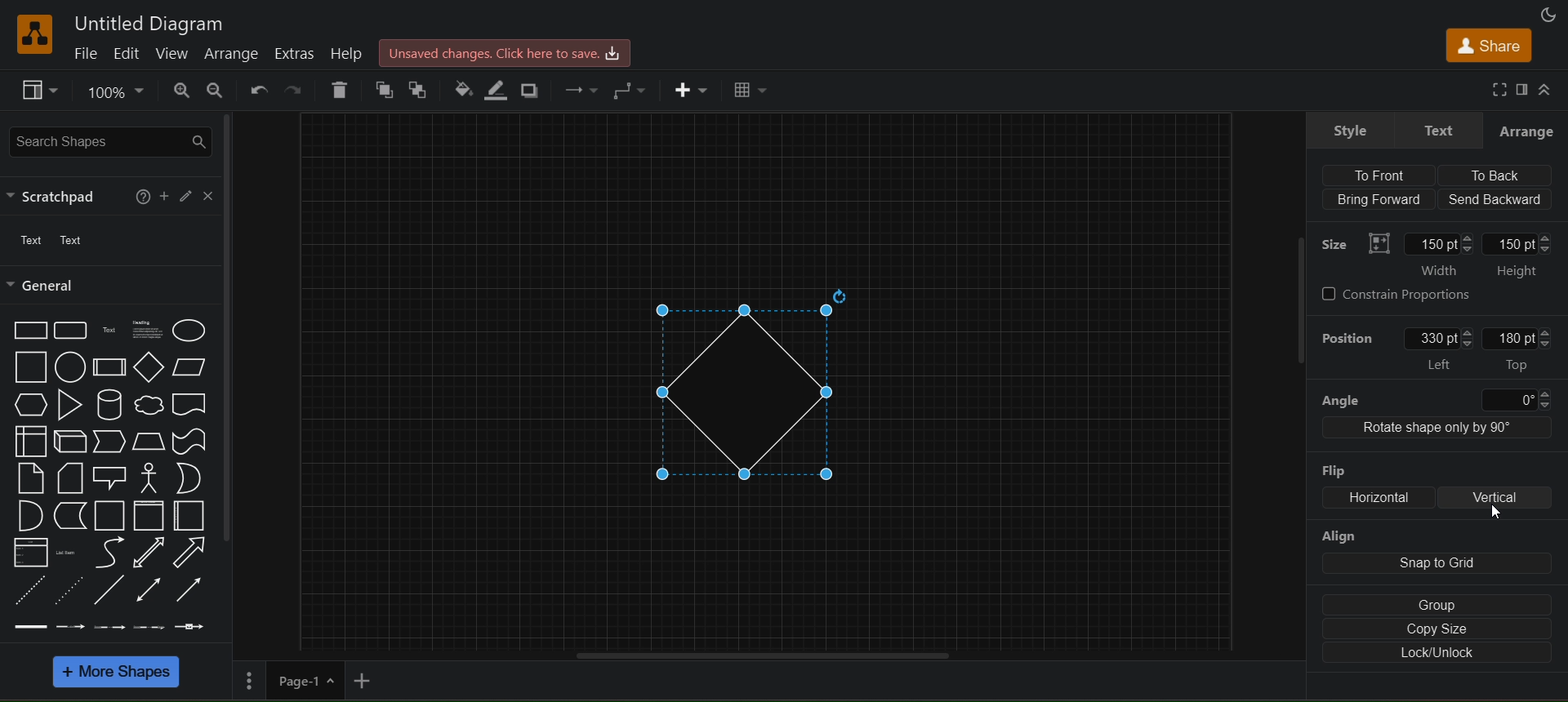  I want to click on tape, so click(188, 442).